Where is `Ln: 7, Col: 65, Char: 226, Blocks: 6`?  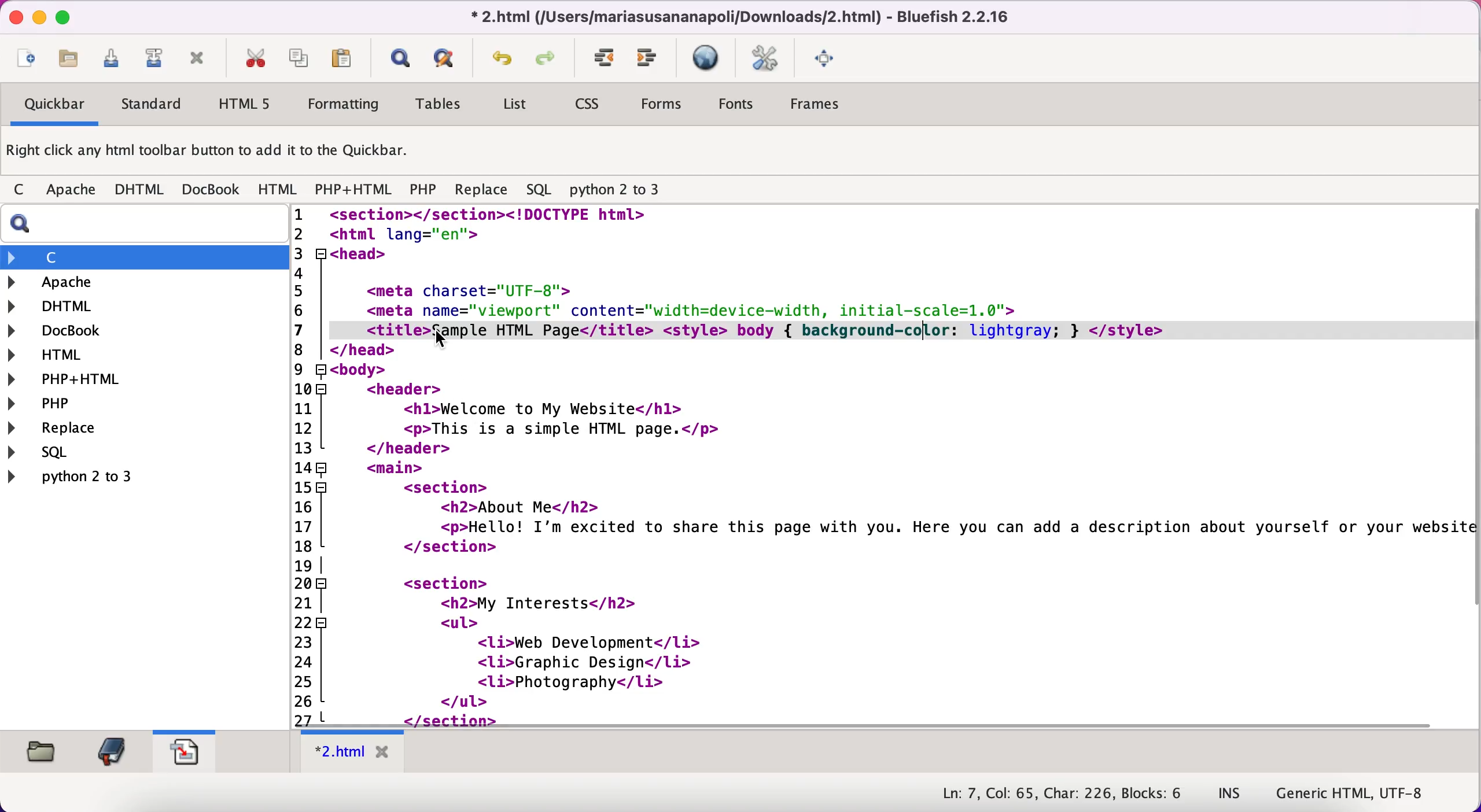
Ln: 7, Col: 65, Char: 226, Blocks: 6 is located at coordinates (1063, 794).